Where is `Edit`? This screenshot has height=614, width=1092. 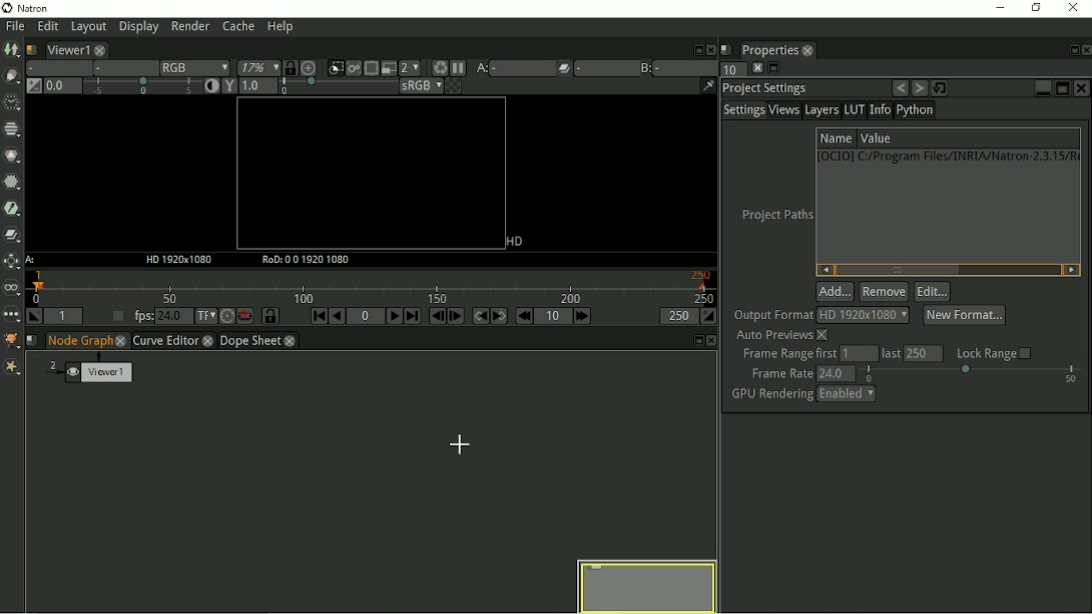
Edit is located at coordinates (933, 292).